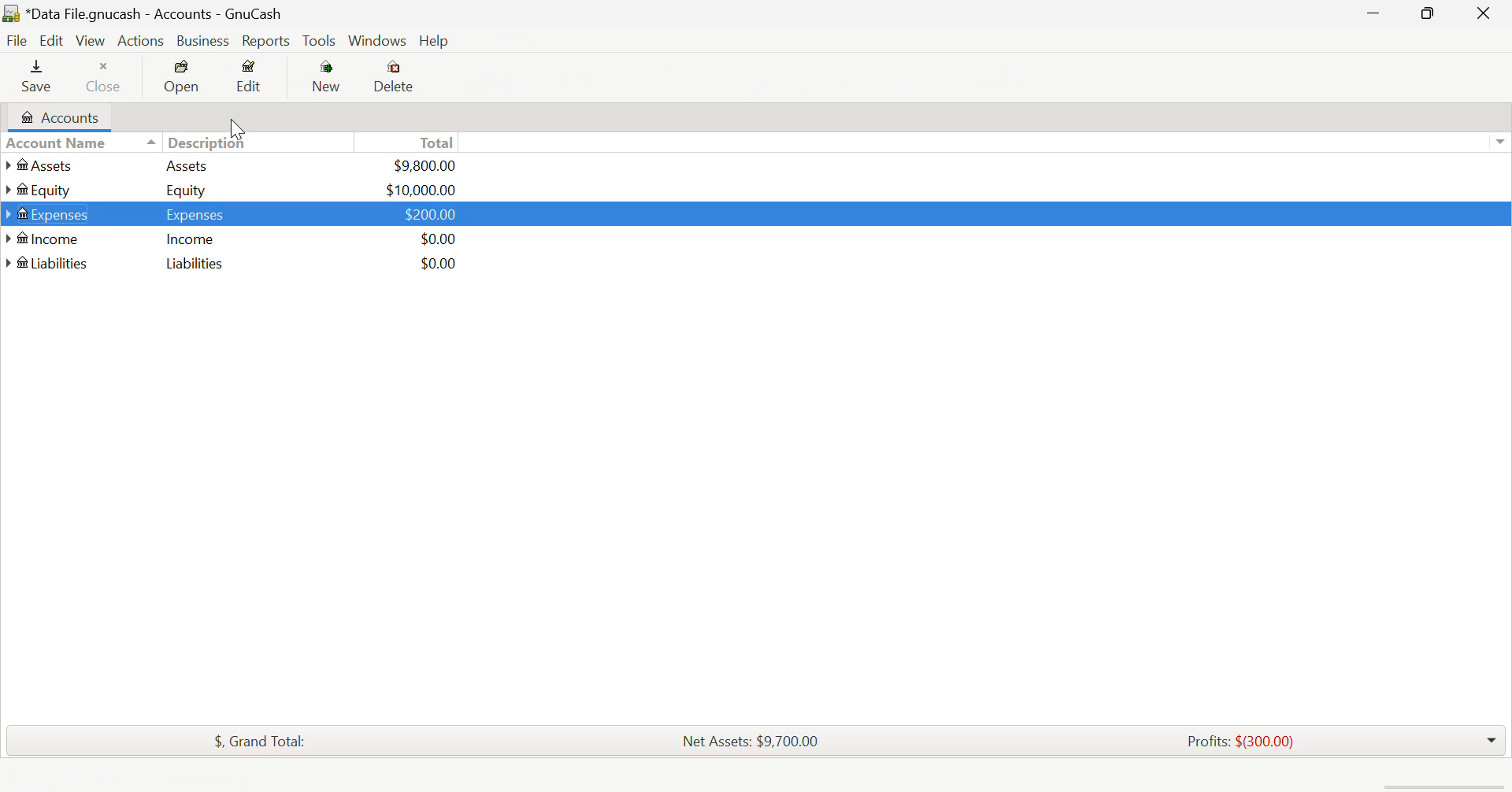 The width and height of the screenshot is (1512, 792). What do you see at coordinates (231, 165) in the screenshot?
I see `Assets Assets $9,800.00` at bounding box center [231, 165].